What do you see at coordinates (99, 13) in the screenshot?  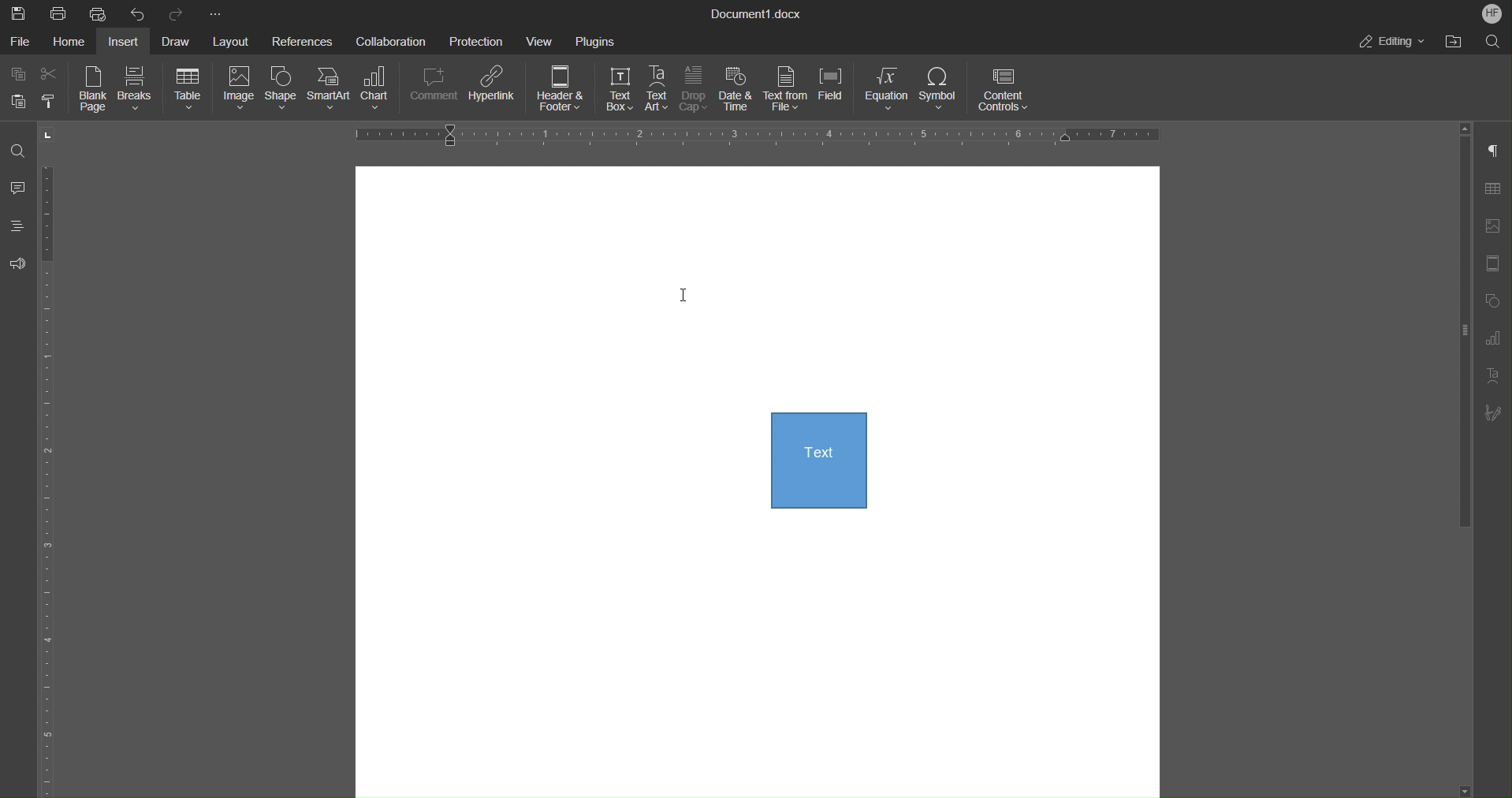 I see `Quick Print` at bounding box center [99, 13].